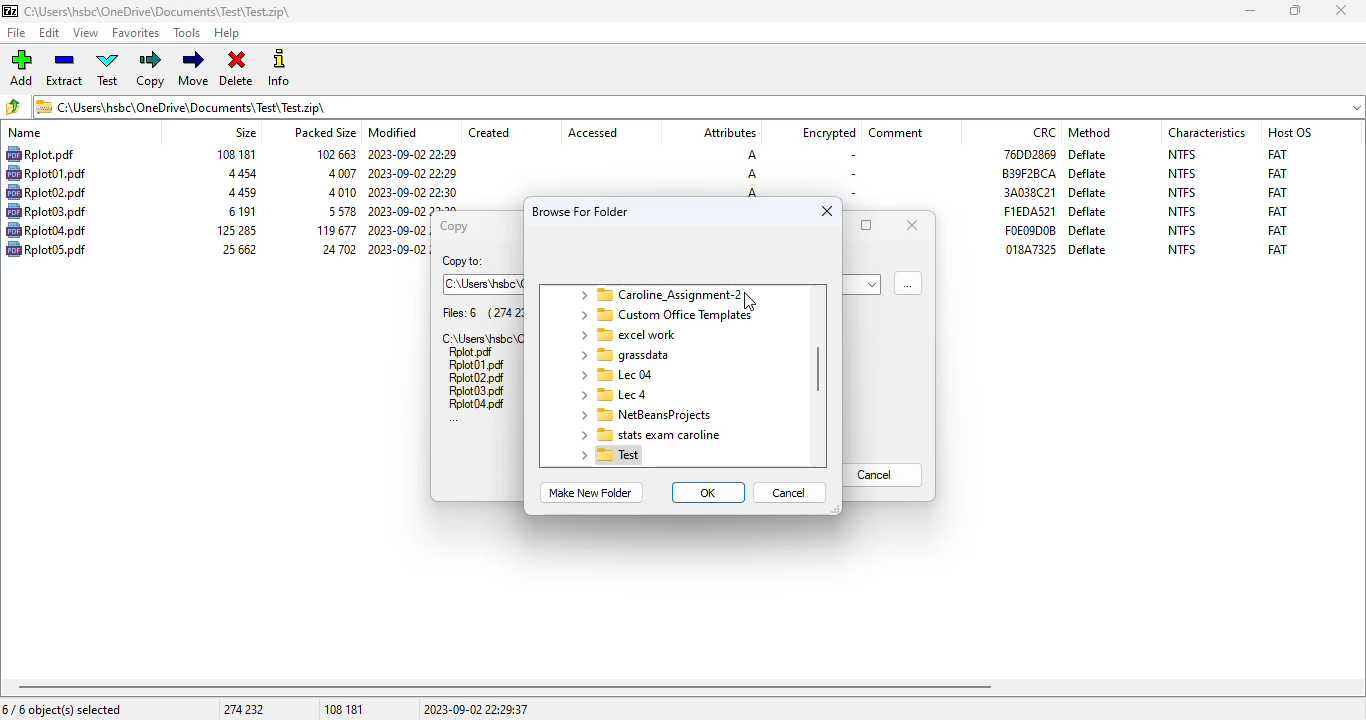 The height and width of the screenshot is (720, 1366). Describe the element at coordinates (790, 492) in the screenshot. I see `cancel` at that location.